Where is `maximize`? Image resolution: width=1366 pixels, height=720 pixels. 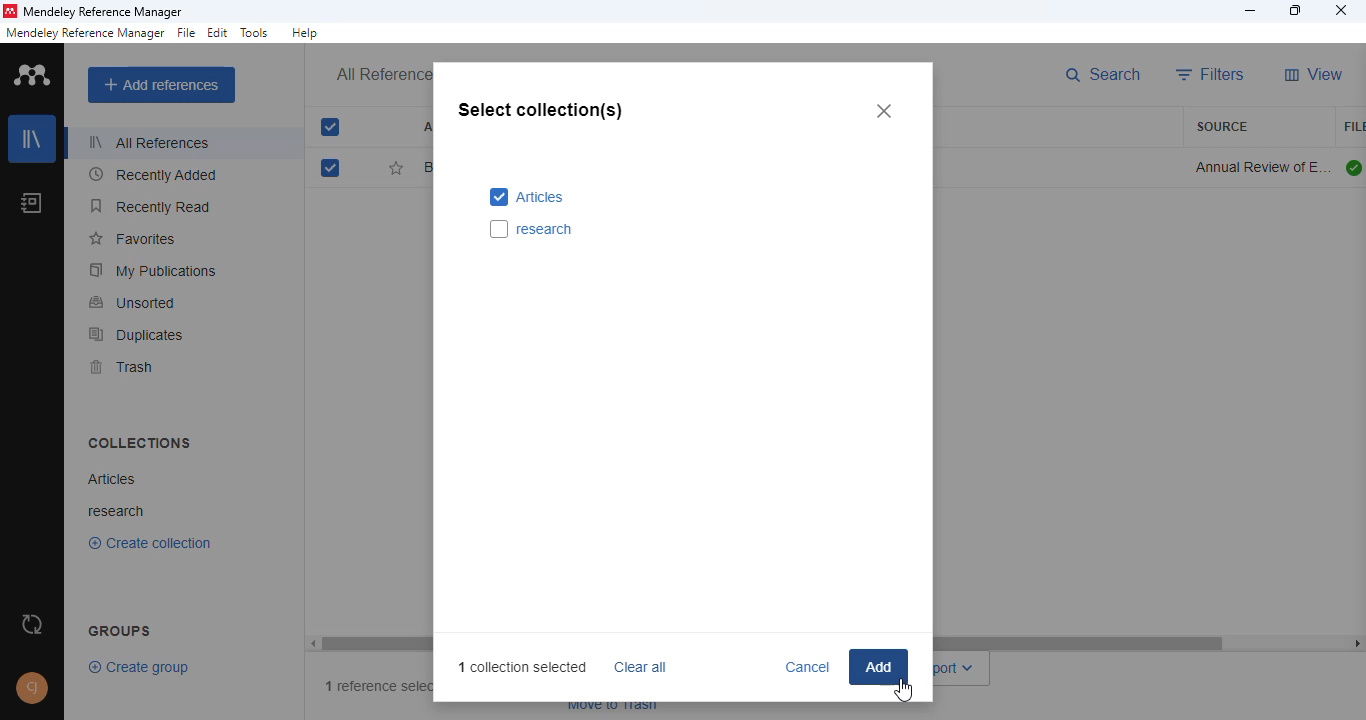
maximize is located at coordinates (1297, 10).